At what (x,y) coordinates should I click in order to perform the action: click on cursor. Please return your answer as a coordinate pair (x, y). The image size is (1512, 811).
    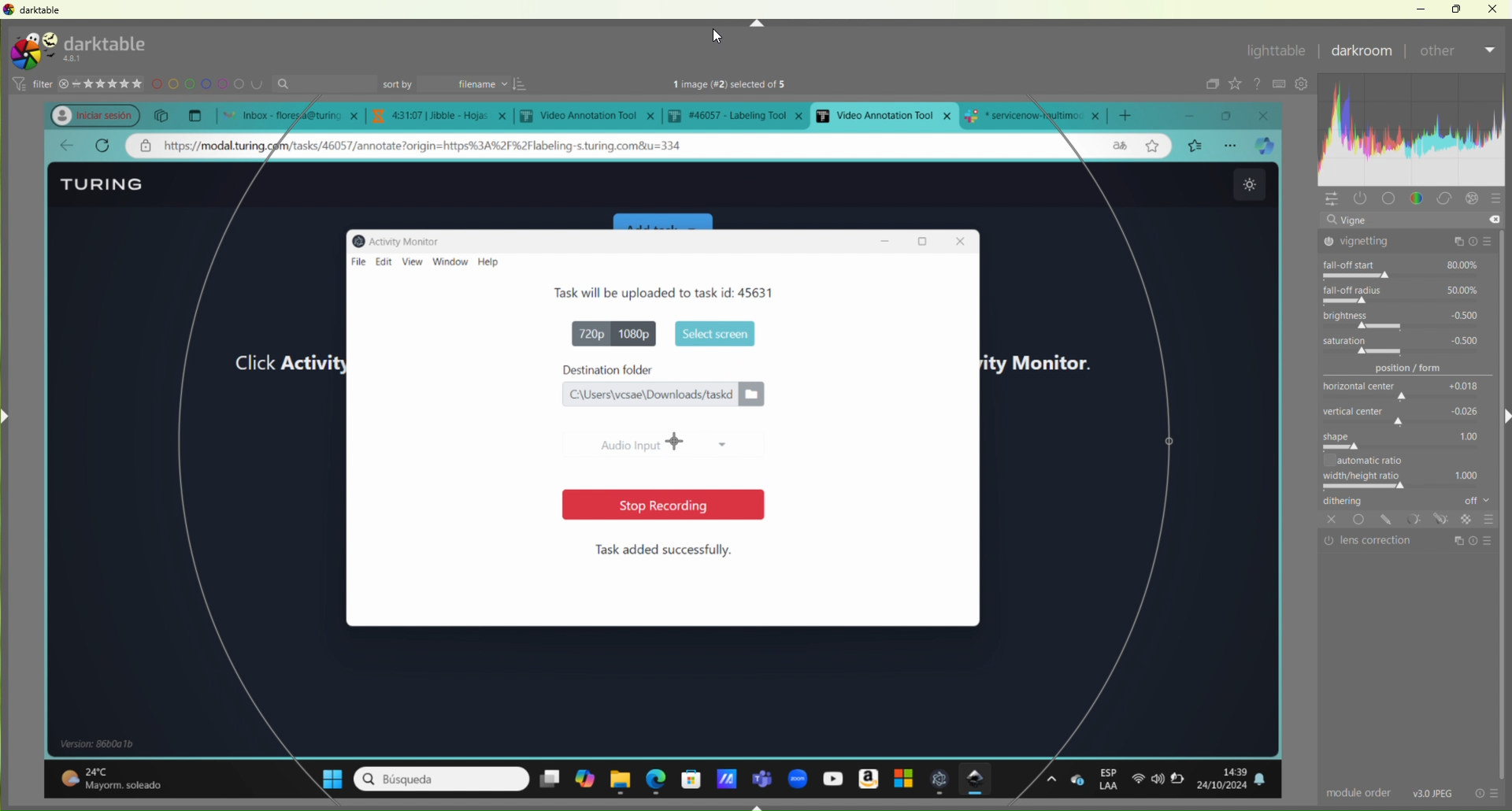
    Looking at the image, I should click on (717, 36).